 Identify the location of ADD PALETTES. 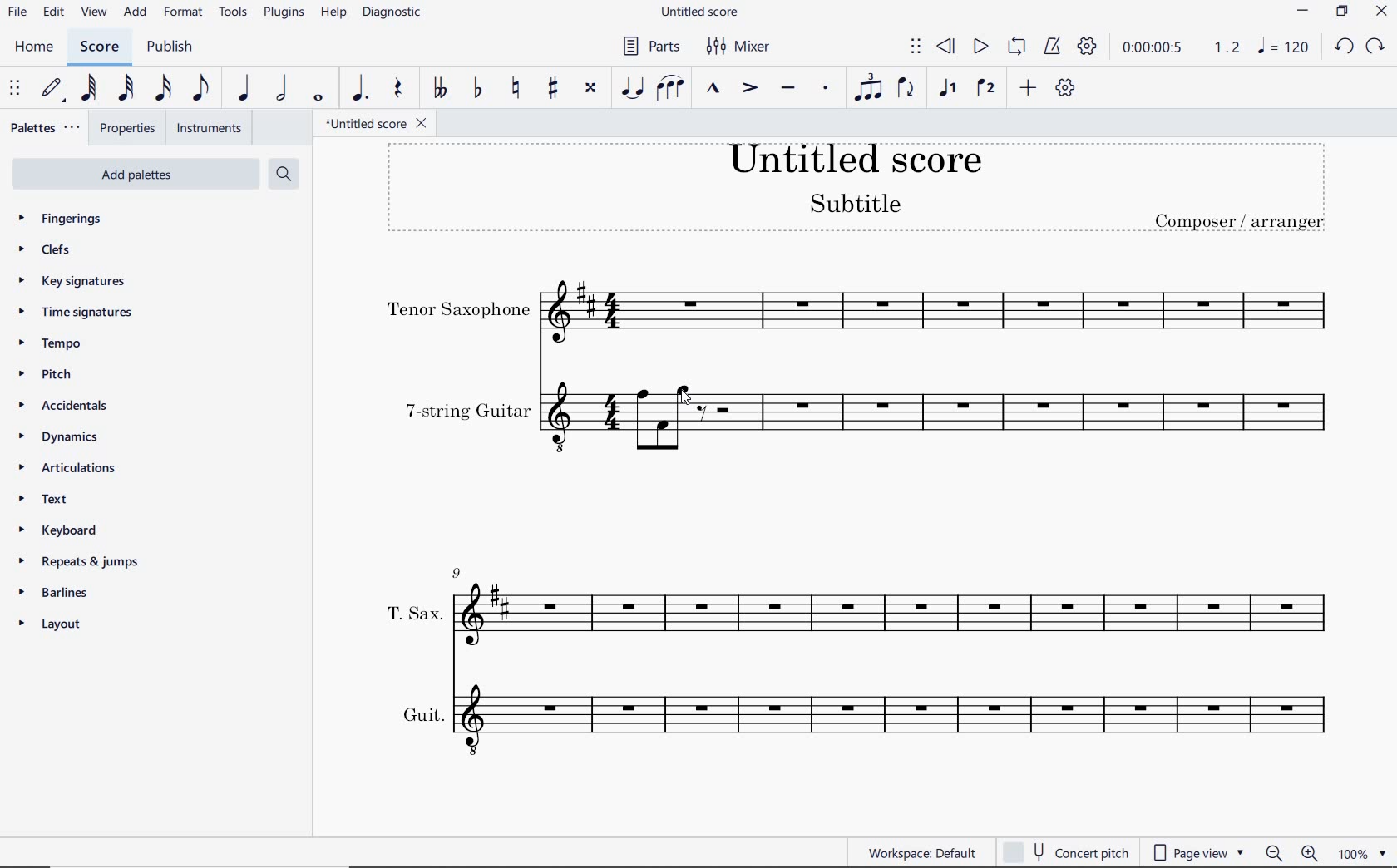
(135, 172).